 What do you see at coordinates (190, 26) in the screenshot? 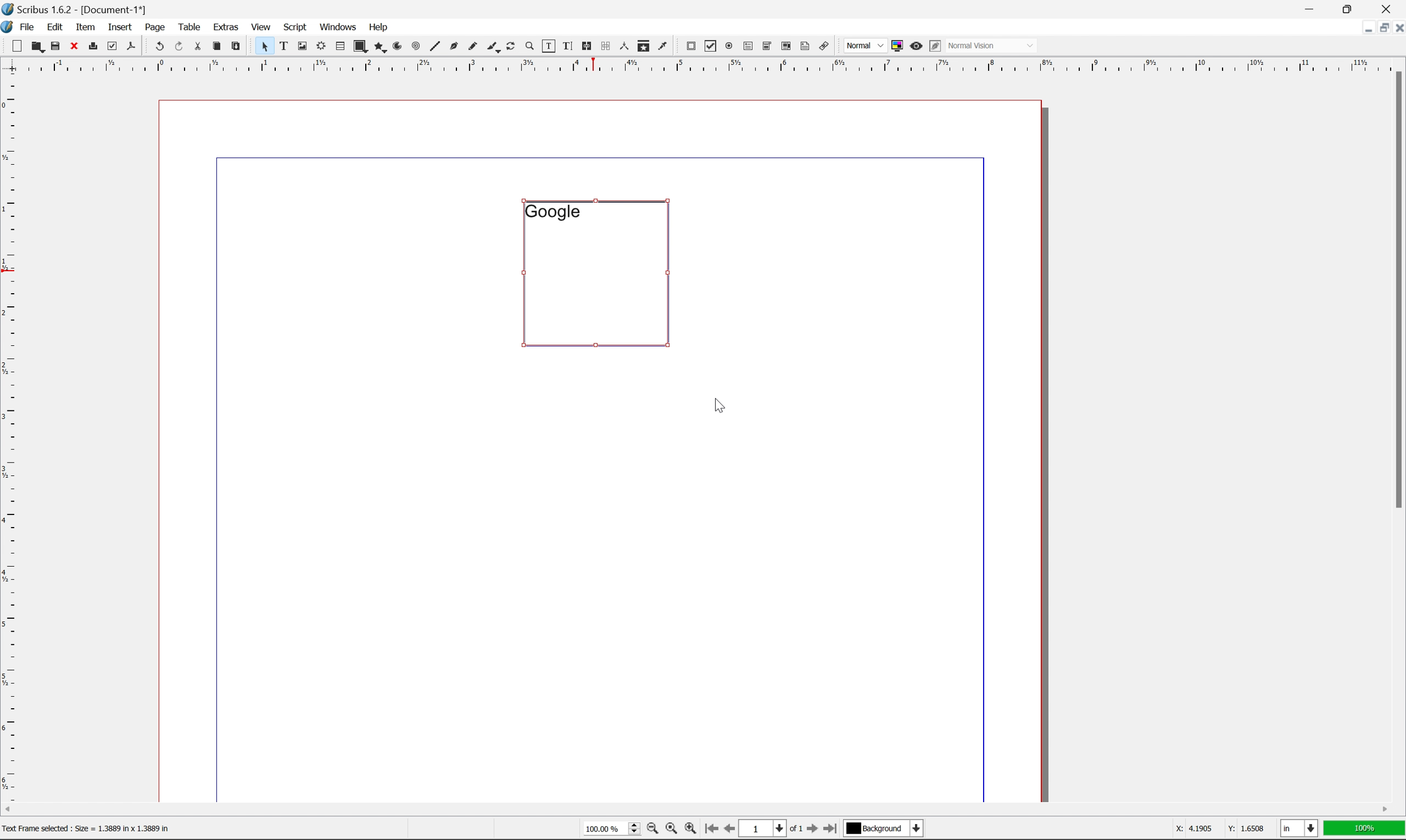
I see `table` at bounding box center [190, 26].